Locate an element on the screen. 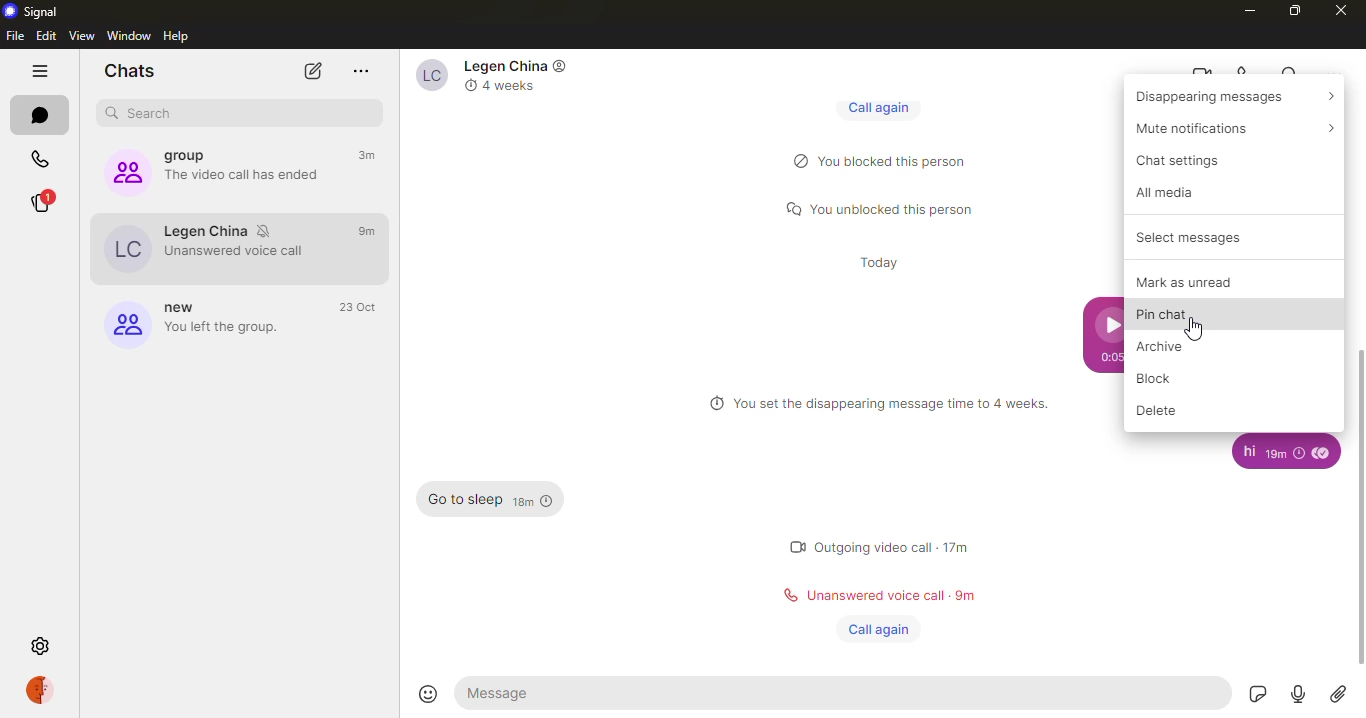 The image size is (1366, 718). emoji is located at coordinates (423, 693).